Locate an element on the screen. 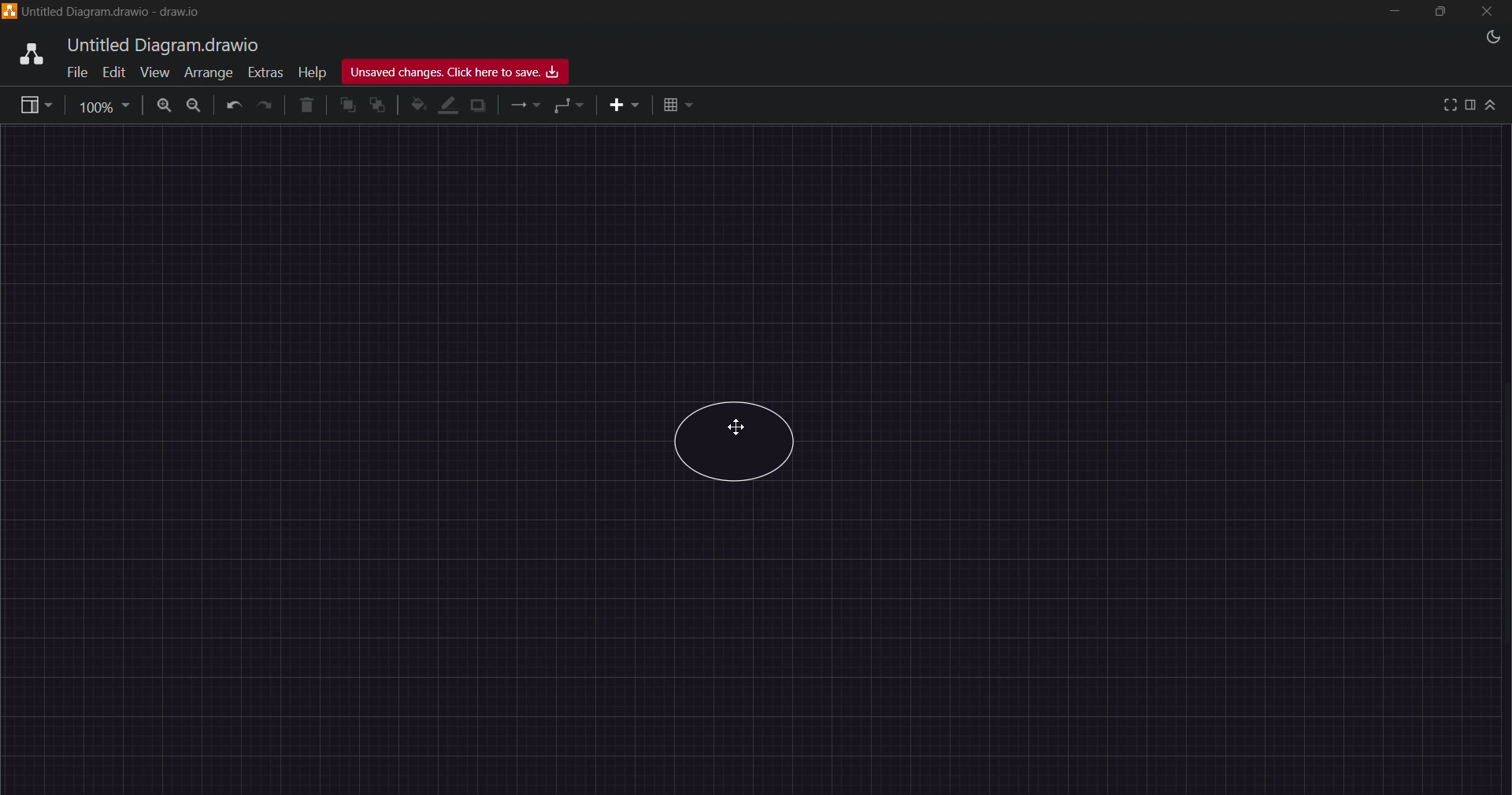 This screenshot has height=795, width=1512. zoom is located at coordinates (106, 106).